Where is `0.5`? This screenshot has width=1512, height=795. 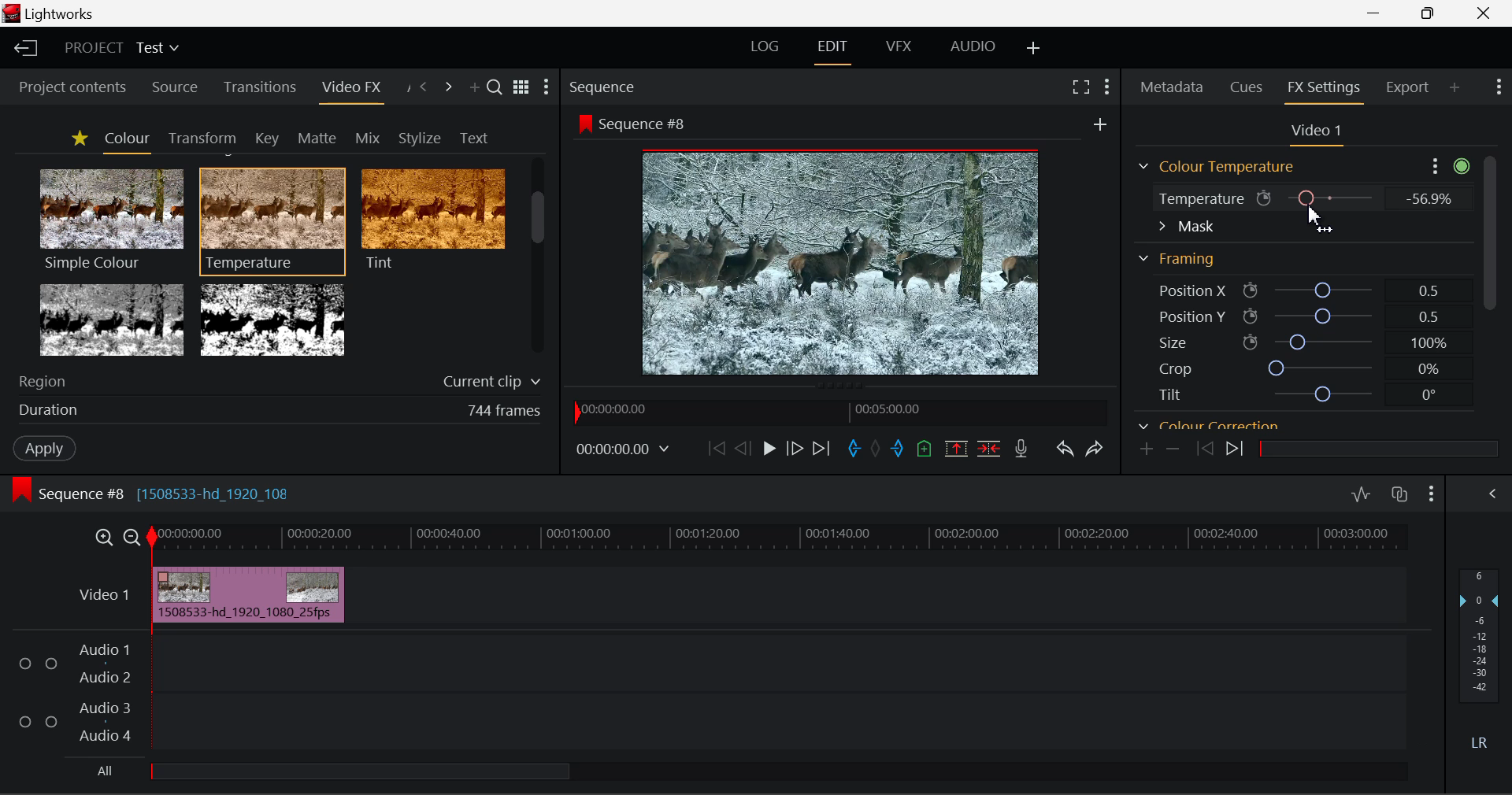
0.5 is located at coordinates (1429, 290).